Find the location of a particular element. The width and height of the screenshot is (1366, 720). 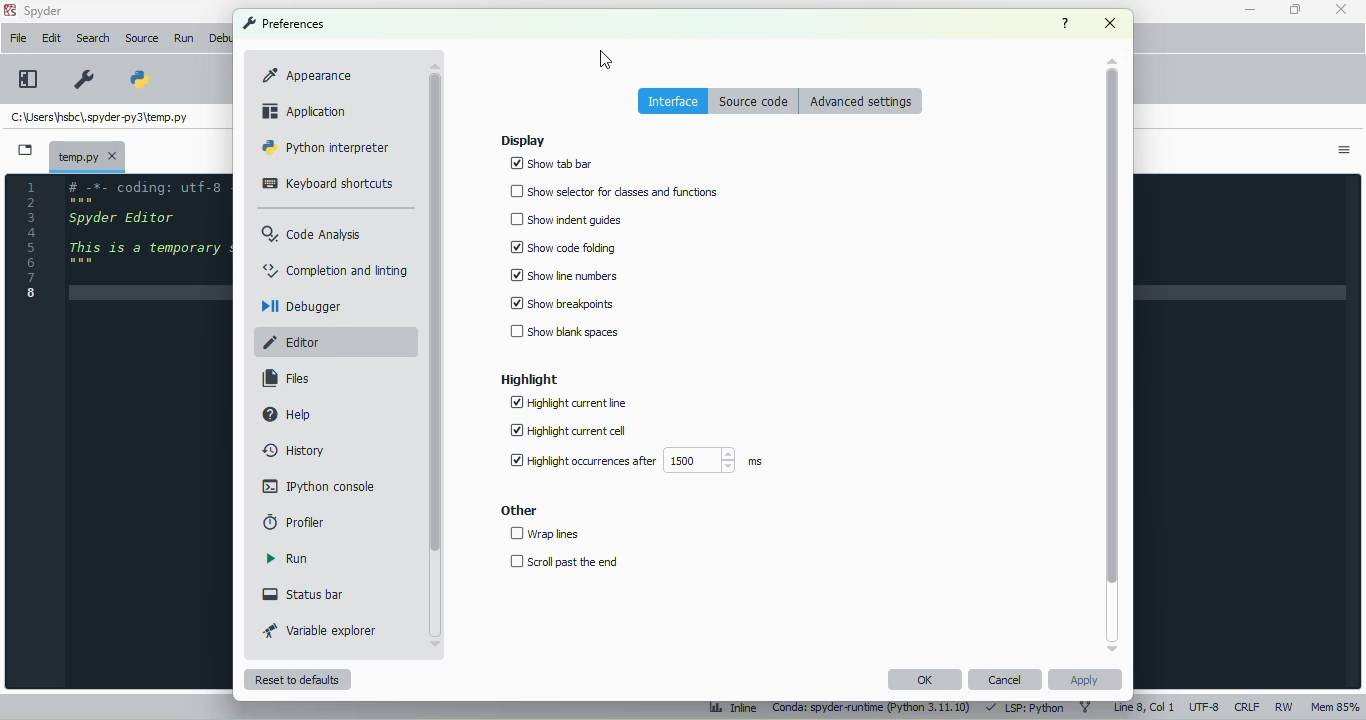

spyder is located at coordinates (44, 11).